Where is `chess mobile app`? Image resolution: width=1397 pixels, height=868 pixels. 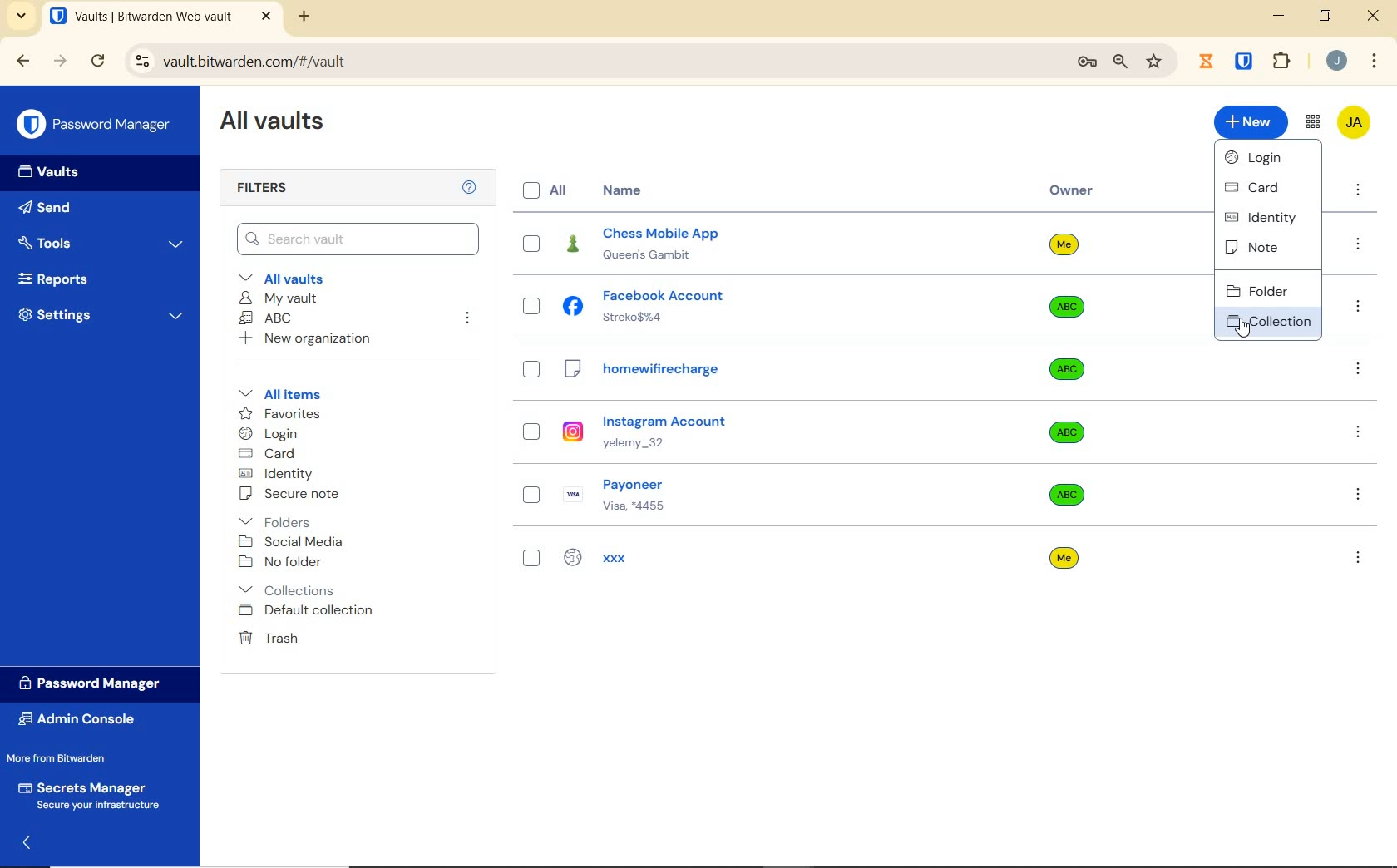 chess mobile app is located at coordinates (765, 245).